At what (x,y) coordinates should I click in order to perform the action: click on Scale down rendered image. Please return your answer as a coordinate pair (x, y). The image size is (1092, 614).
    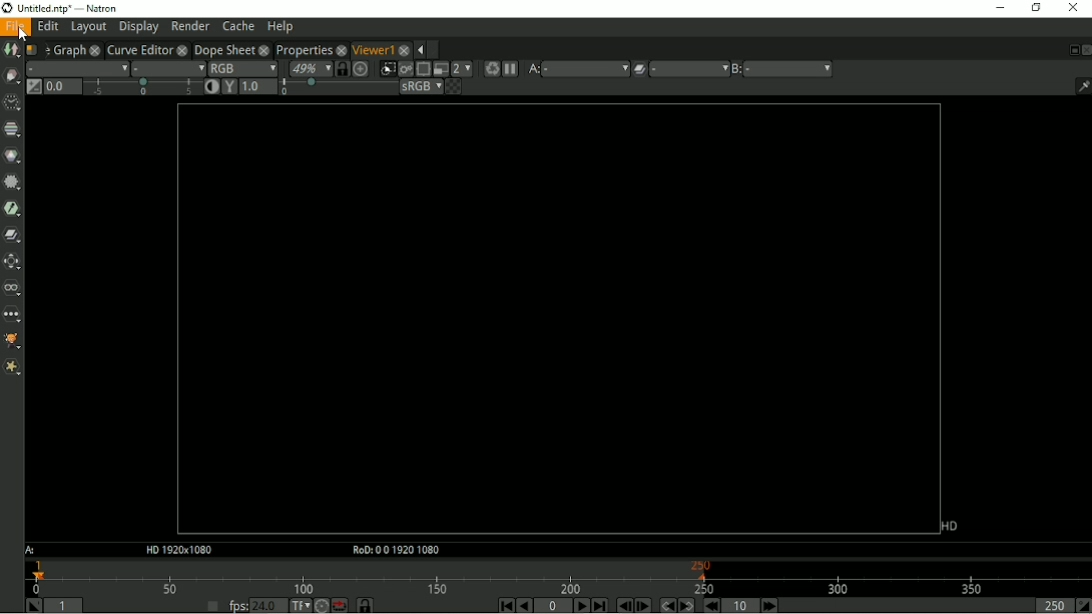
    Looking at the image, I should click on (462, 68).